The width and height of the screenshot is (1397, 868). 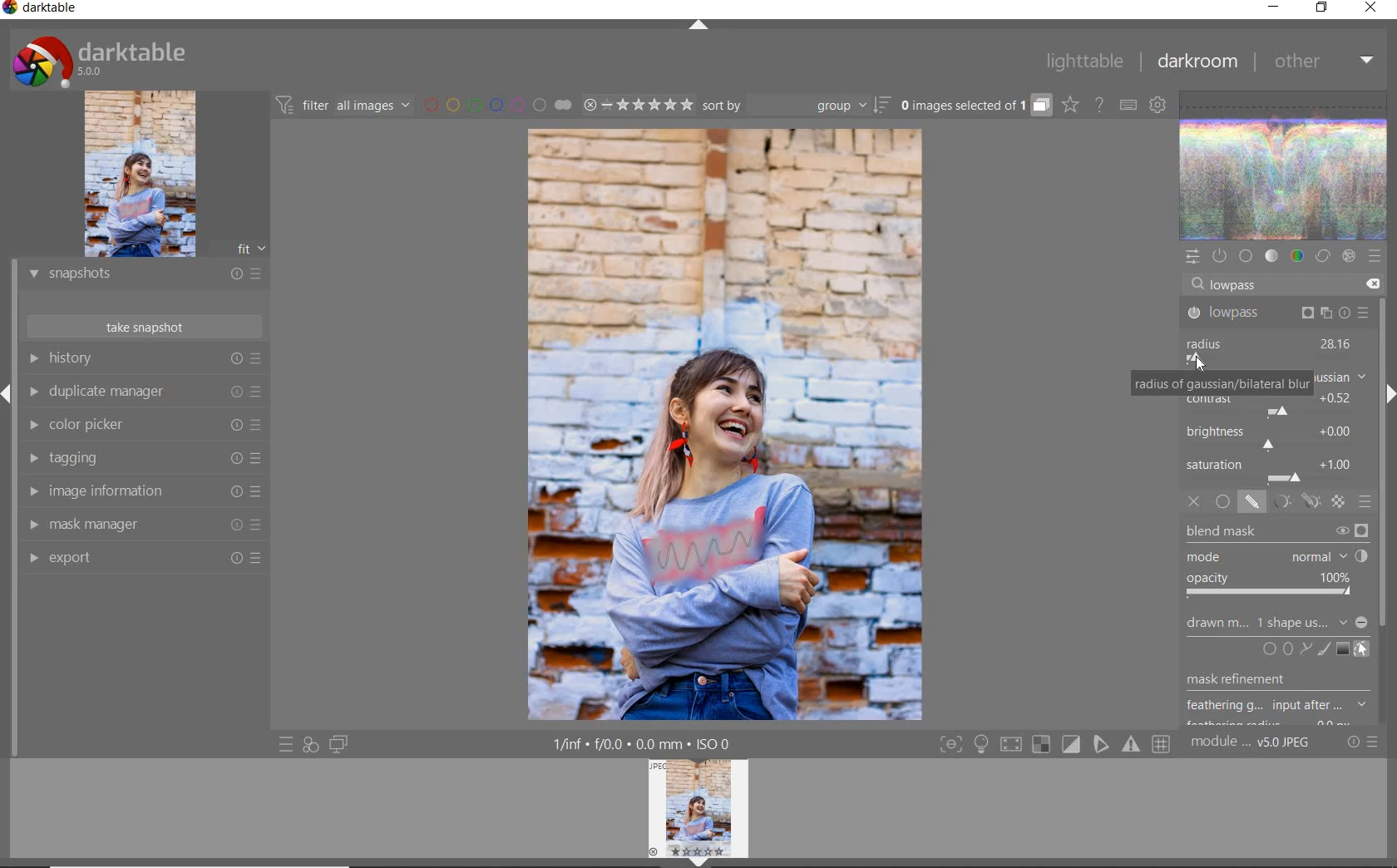 What do you see at coordinates (1322, 649) in the screenshot?
I see `add brush` at bounding box center [1322, 649].